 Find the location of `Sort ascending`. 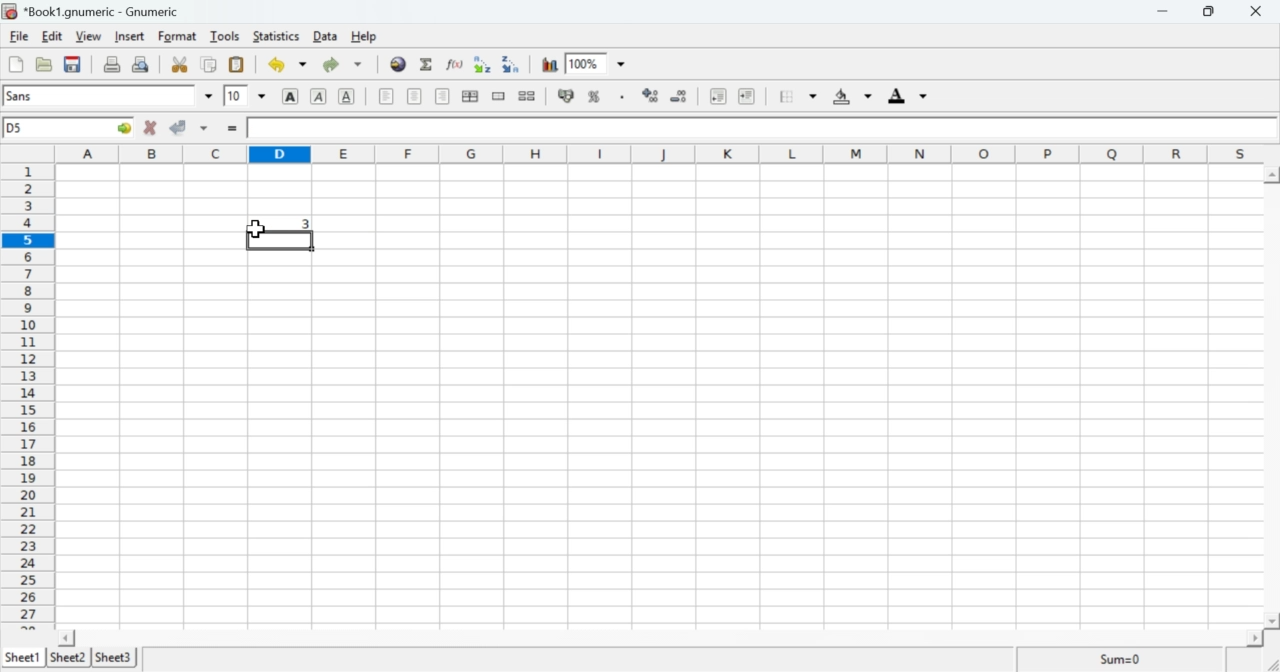

Sort ascending is located at coordinates (485, 64).